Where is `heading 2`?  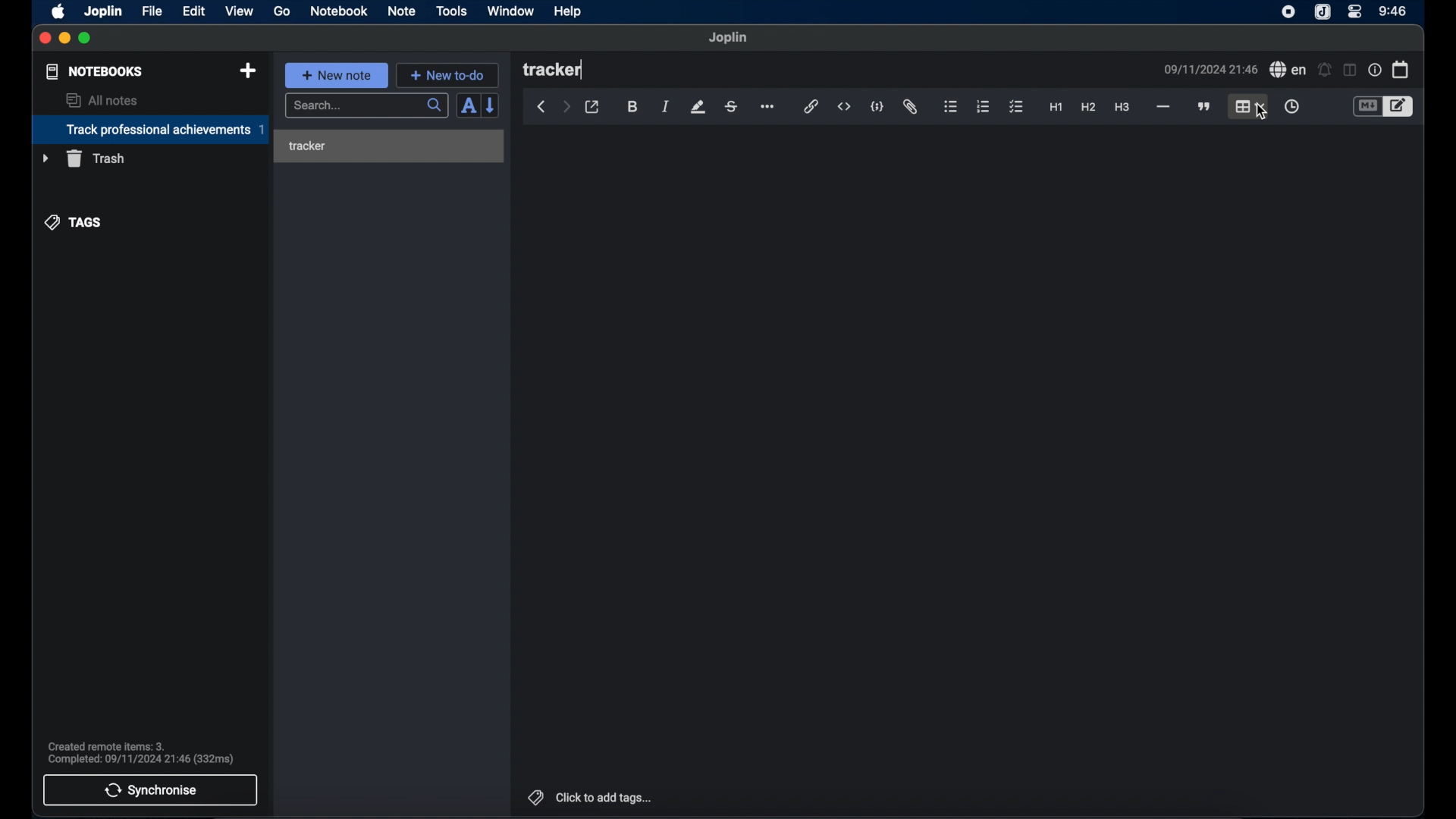 heading 2 is located at coordinates (1088, 108).